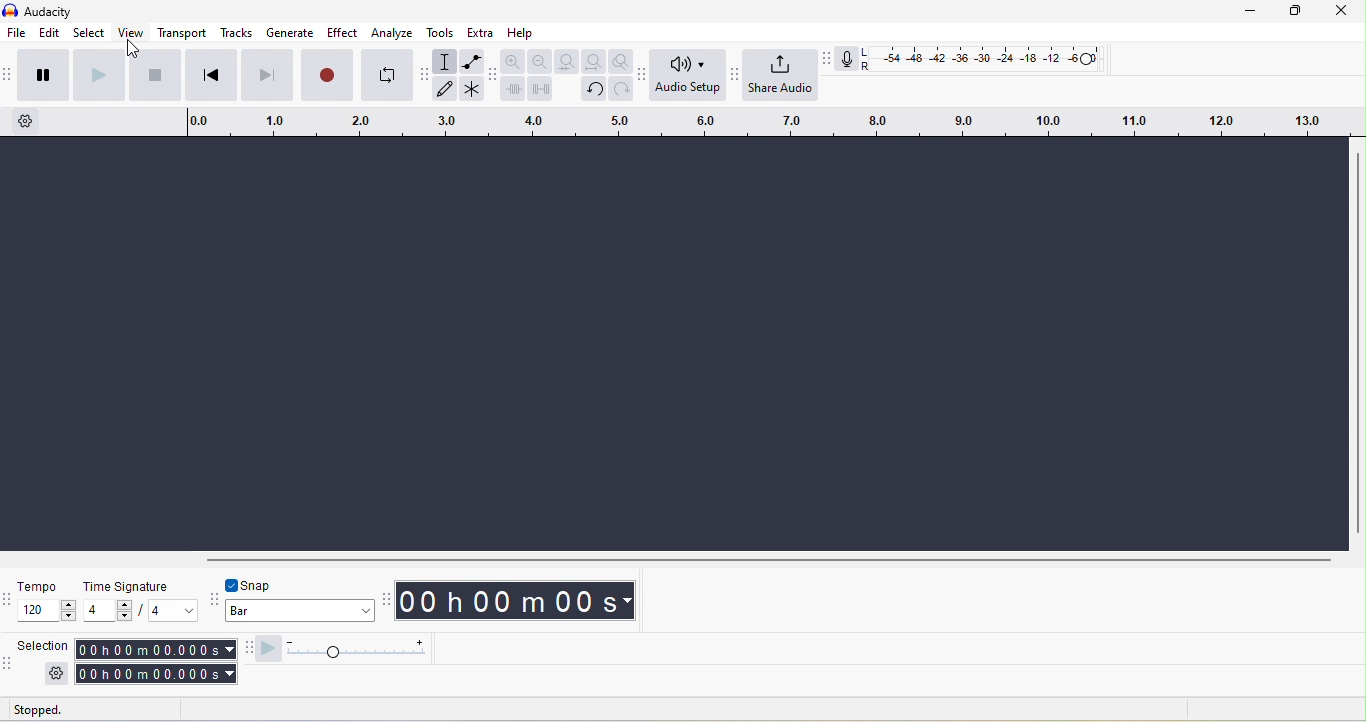 This screenshot has width=1366, height=722. Describe the element at coordinates (10, 10) in the screenshot. I see `audacity logo` at that location.